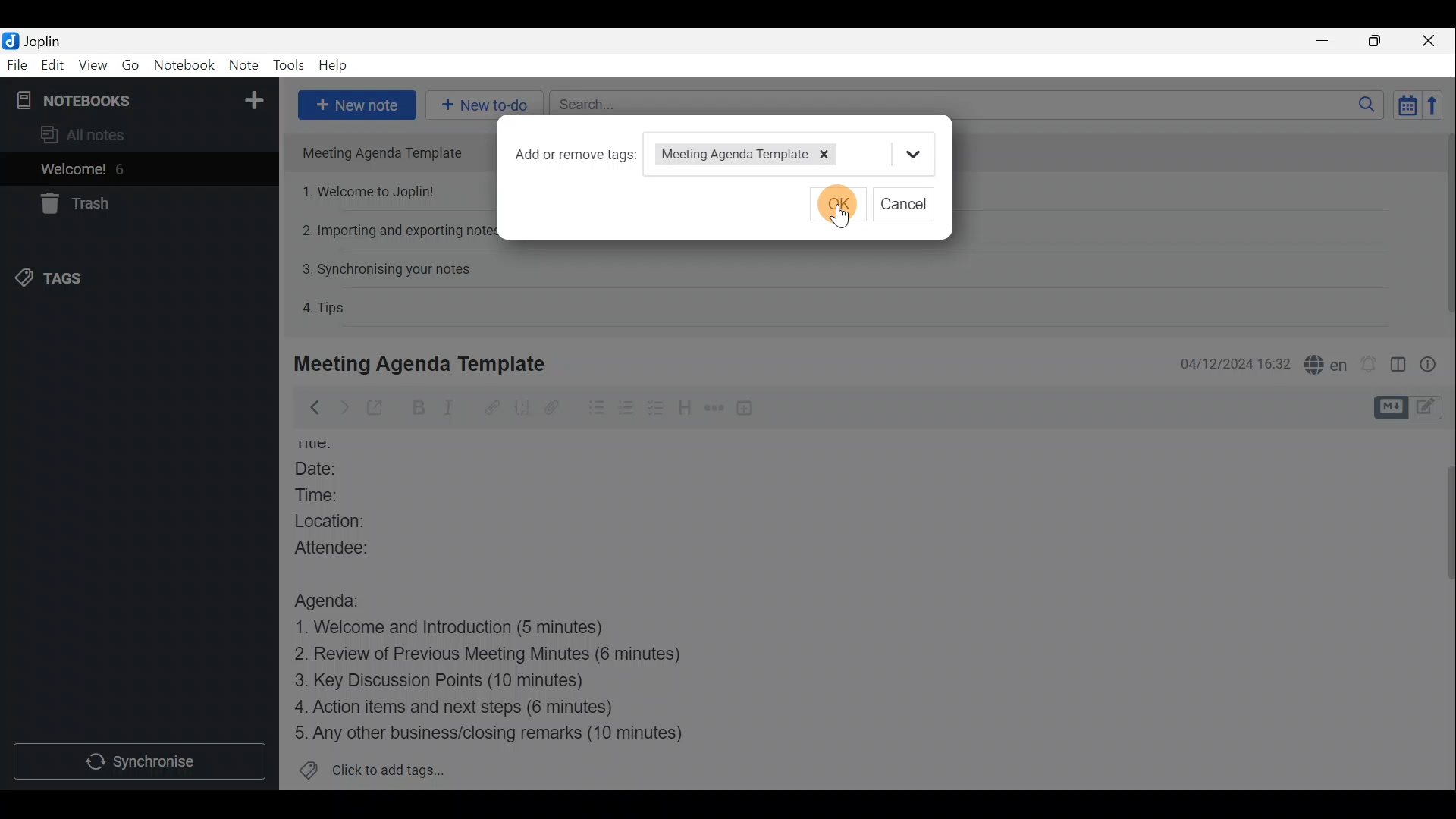 The image size is (1456, 819). What do you see at coordinates (139, 760) in the screenshot?
I see `Synchronise` at bounding box center [139, 760].